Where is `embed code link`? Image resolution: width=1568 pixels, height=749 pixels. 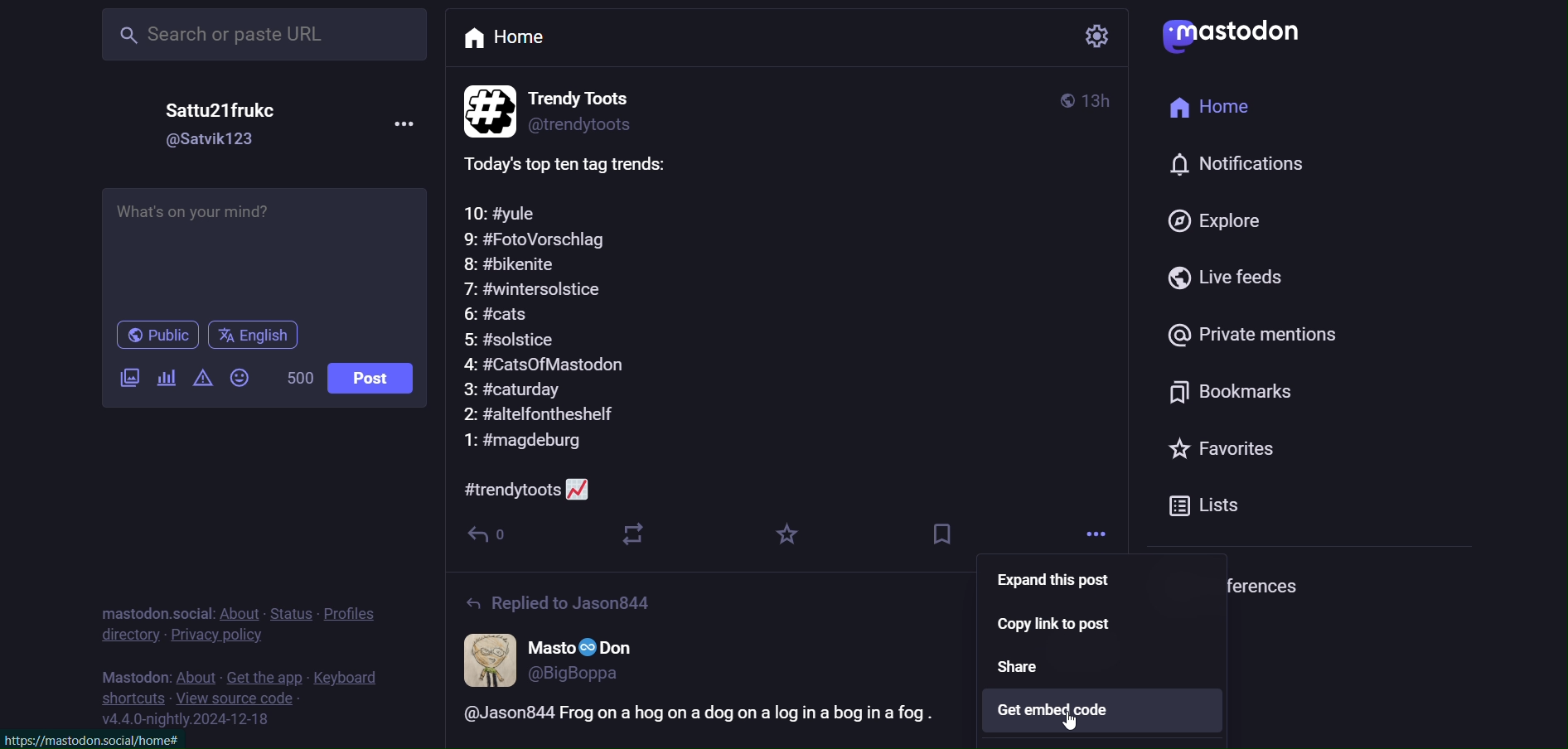 embed code link is located at coordinates (99, 738).